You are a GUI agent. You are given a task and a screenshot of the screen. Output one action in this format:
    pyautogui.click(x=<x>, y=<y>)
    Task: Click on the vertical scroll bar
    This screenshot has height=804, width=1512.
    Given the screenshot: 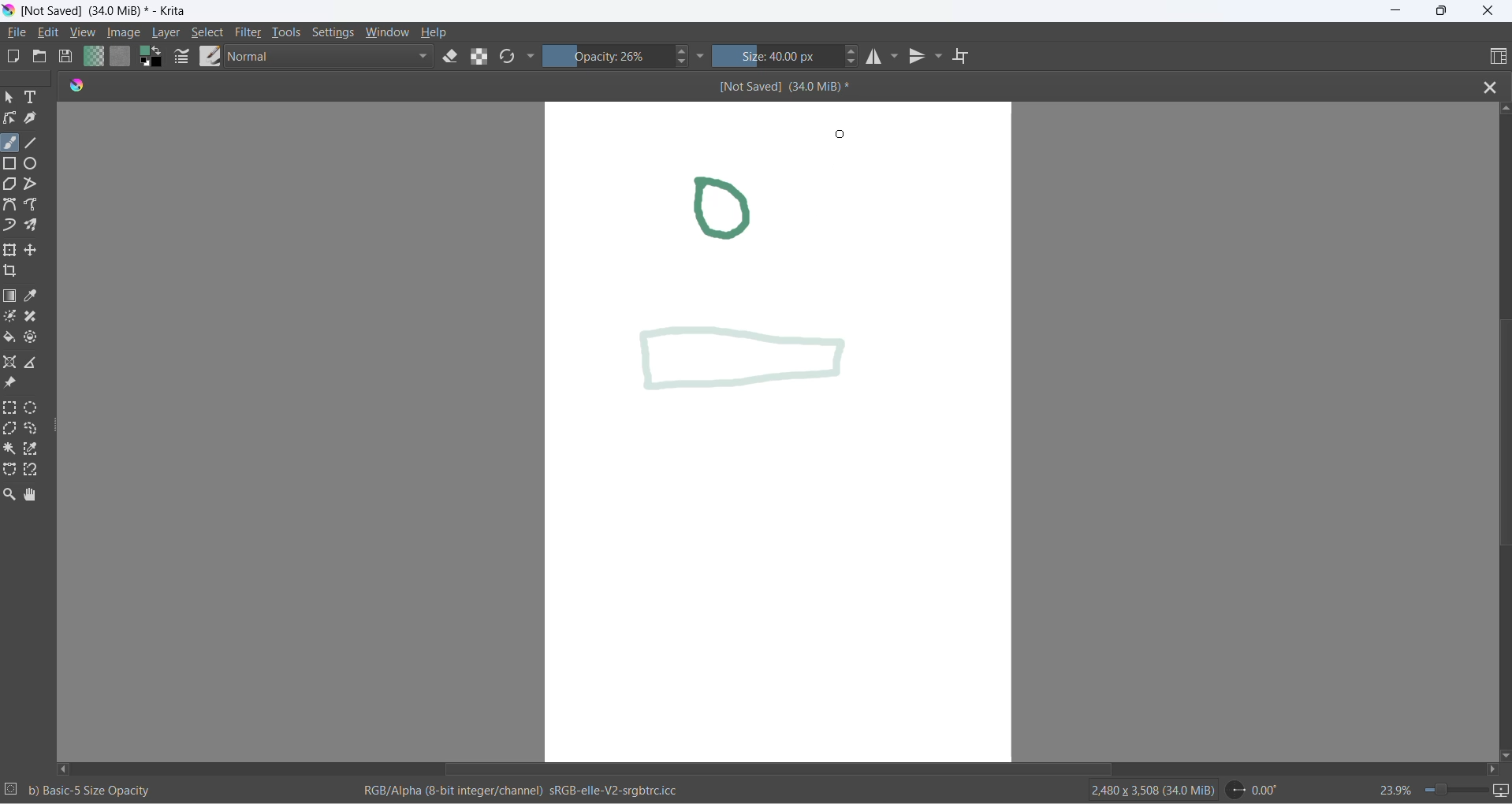 What is the action you would take?
    pyautogui.click(x=1499, y=446)
    